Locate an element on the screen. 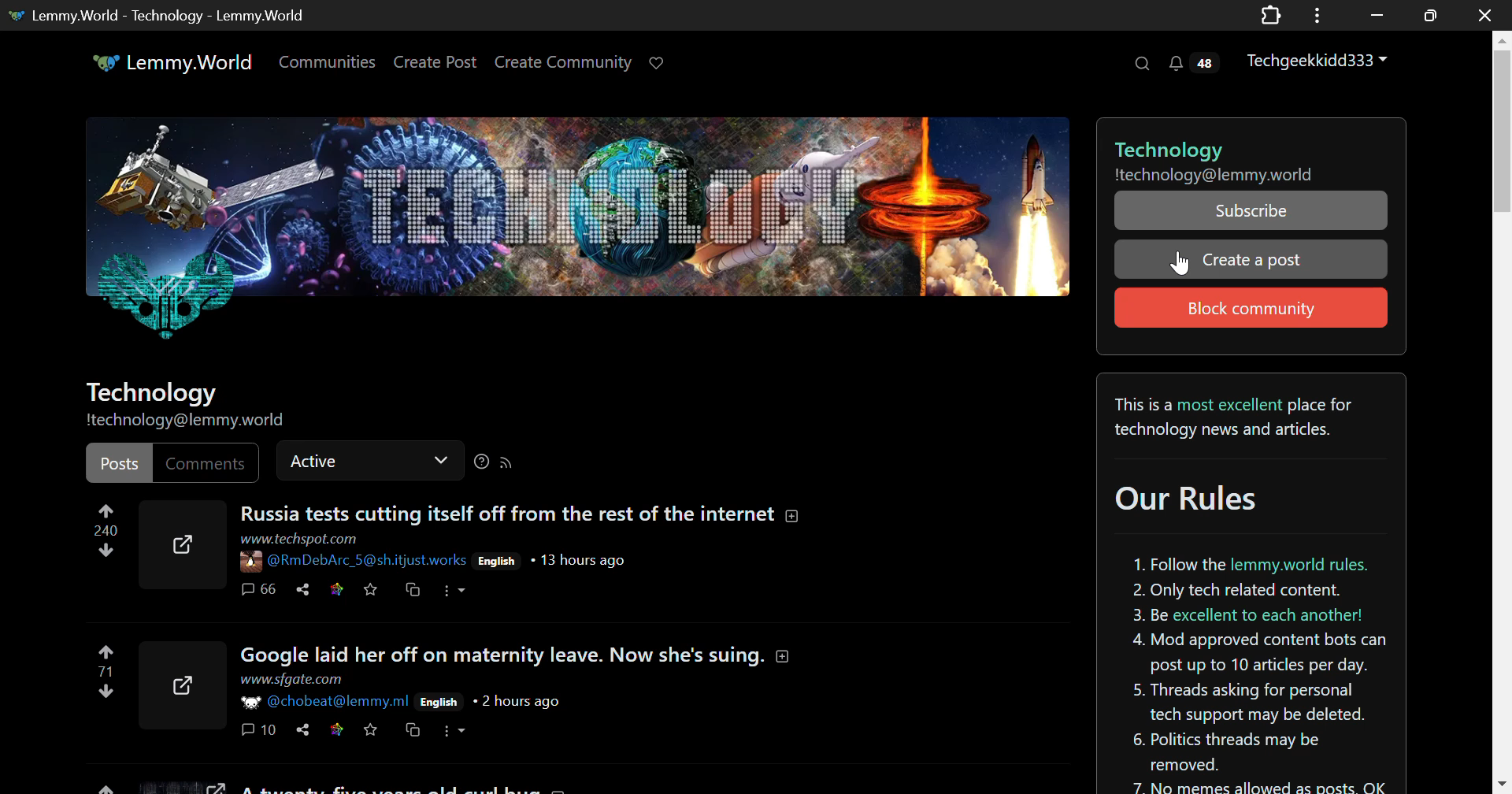 This screenshot has height=794, width=1512. Sorting Help is located at coordinates (481, 462).